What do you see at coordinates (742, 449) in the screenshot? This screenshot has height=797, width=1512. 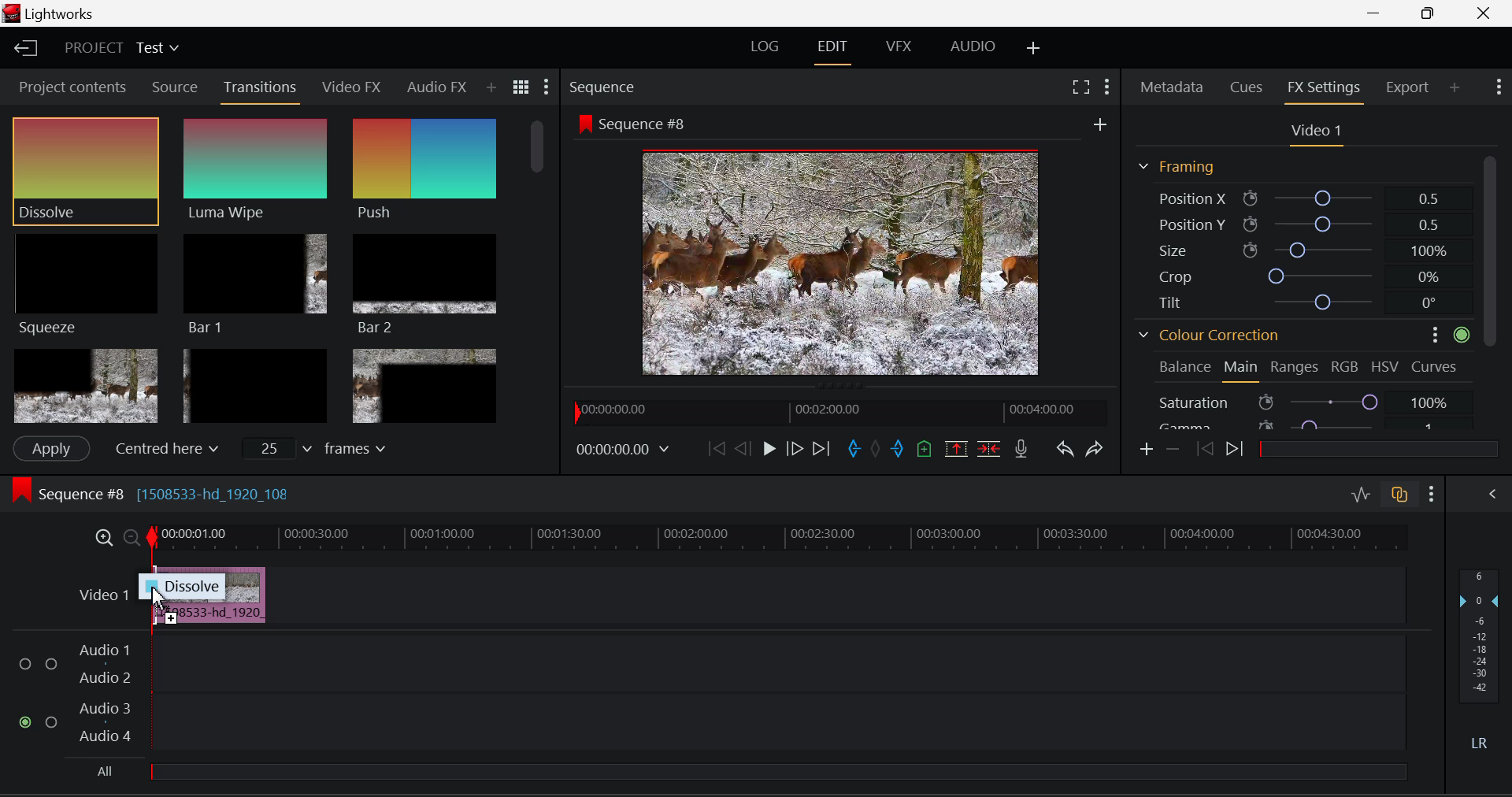 I see `Go Back` at bounding box center [742, 449].